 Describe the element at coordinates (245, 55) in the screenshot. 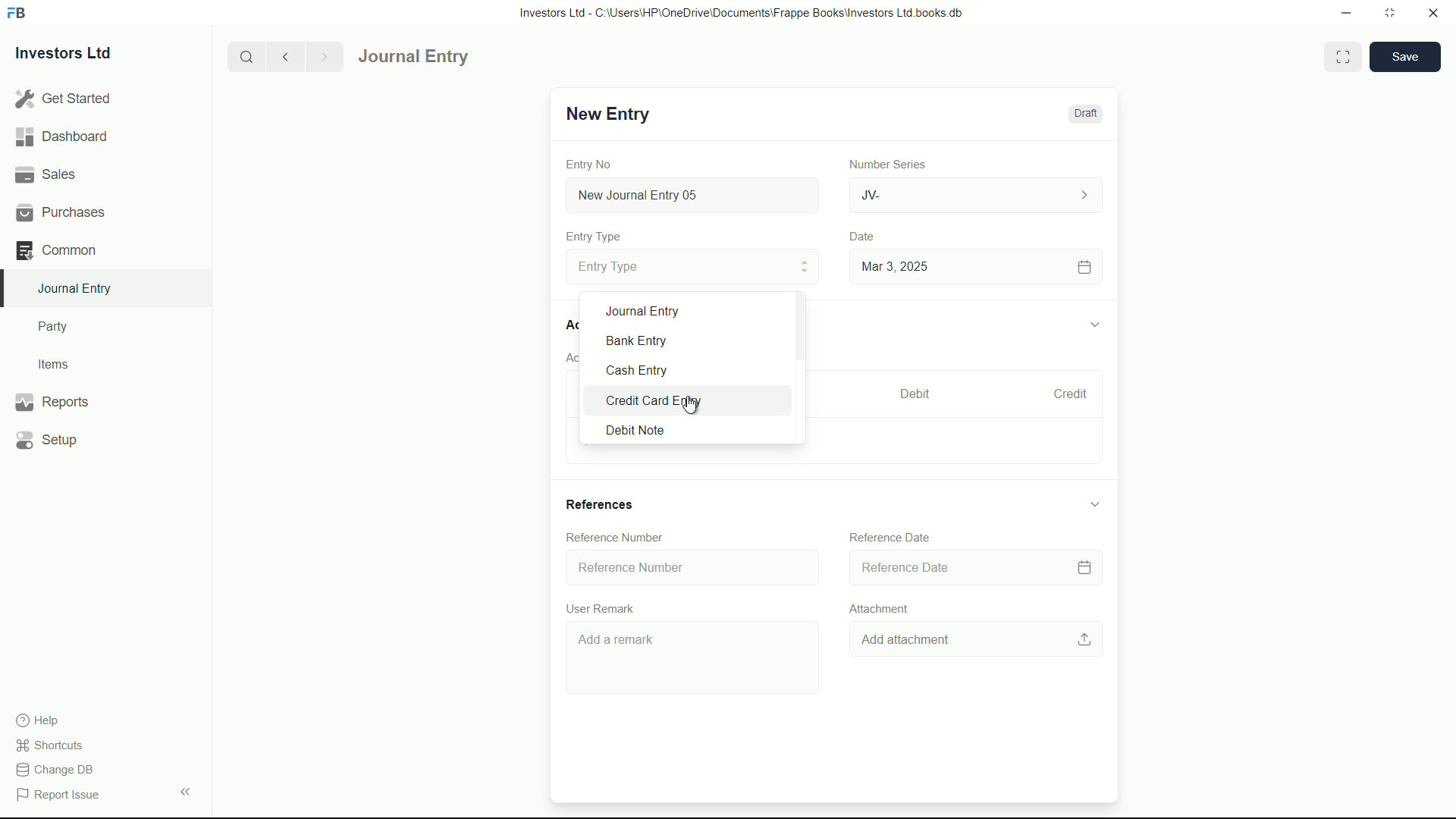

I see `search` at that location.